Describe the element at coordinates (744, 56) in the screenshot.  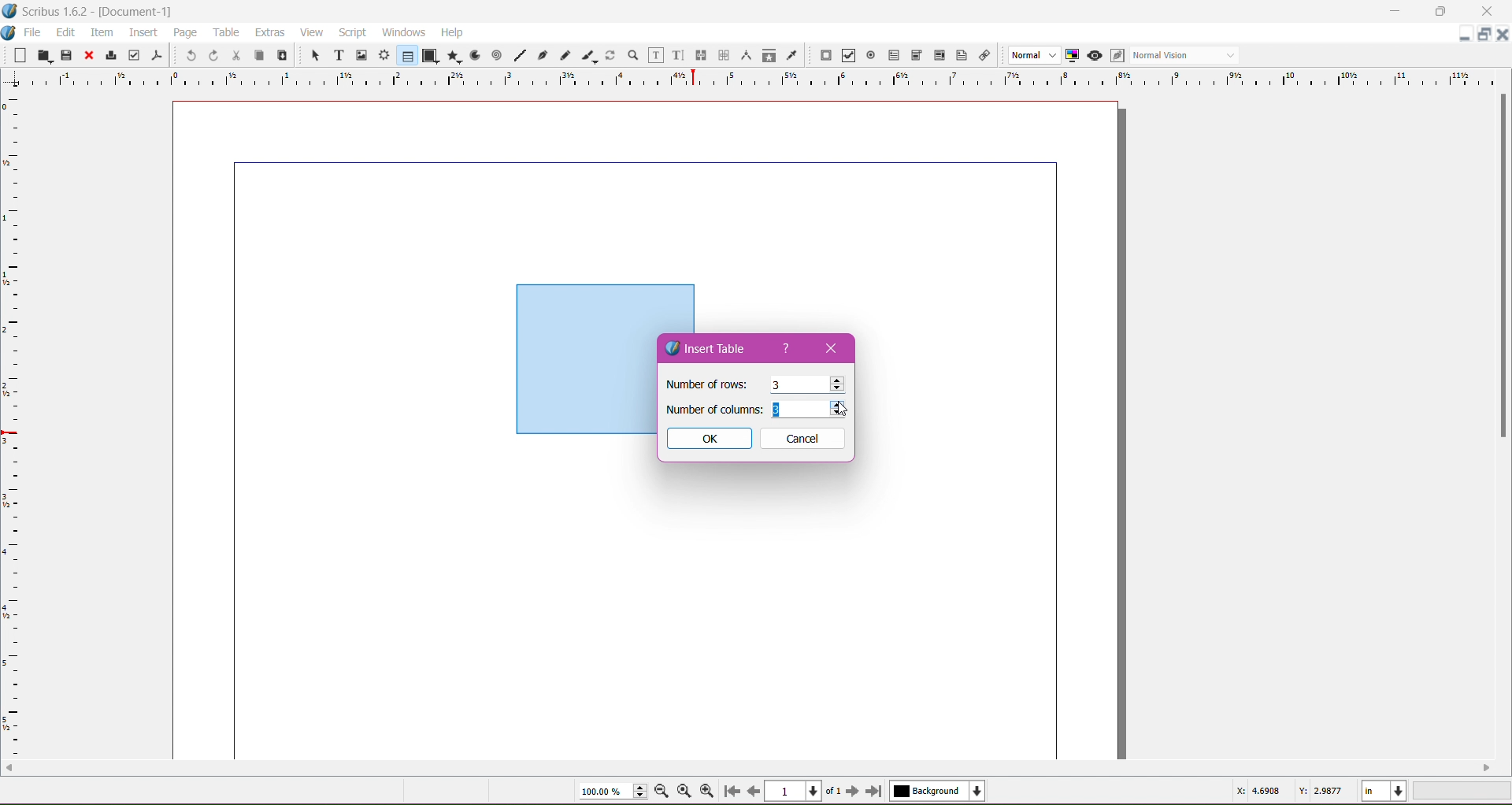
I see `Measurements` at that location.